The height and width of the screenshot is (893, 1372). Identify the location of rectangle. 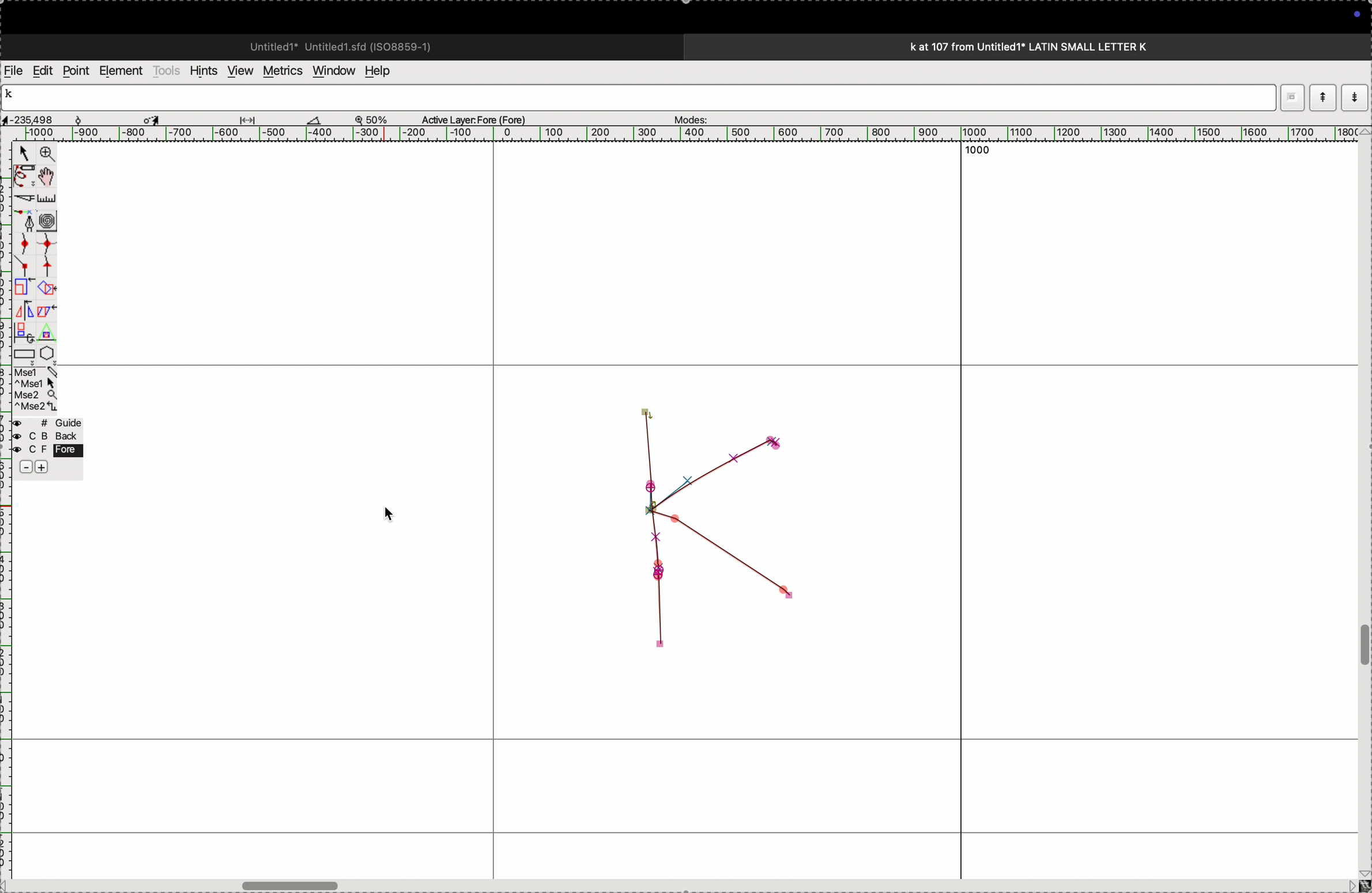
(21, 352).